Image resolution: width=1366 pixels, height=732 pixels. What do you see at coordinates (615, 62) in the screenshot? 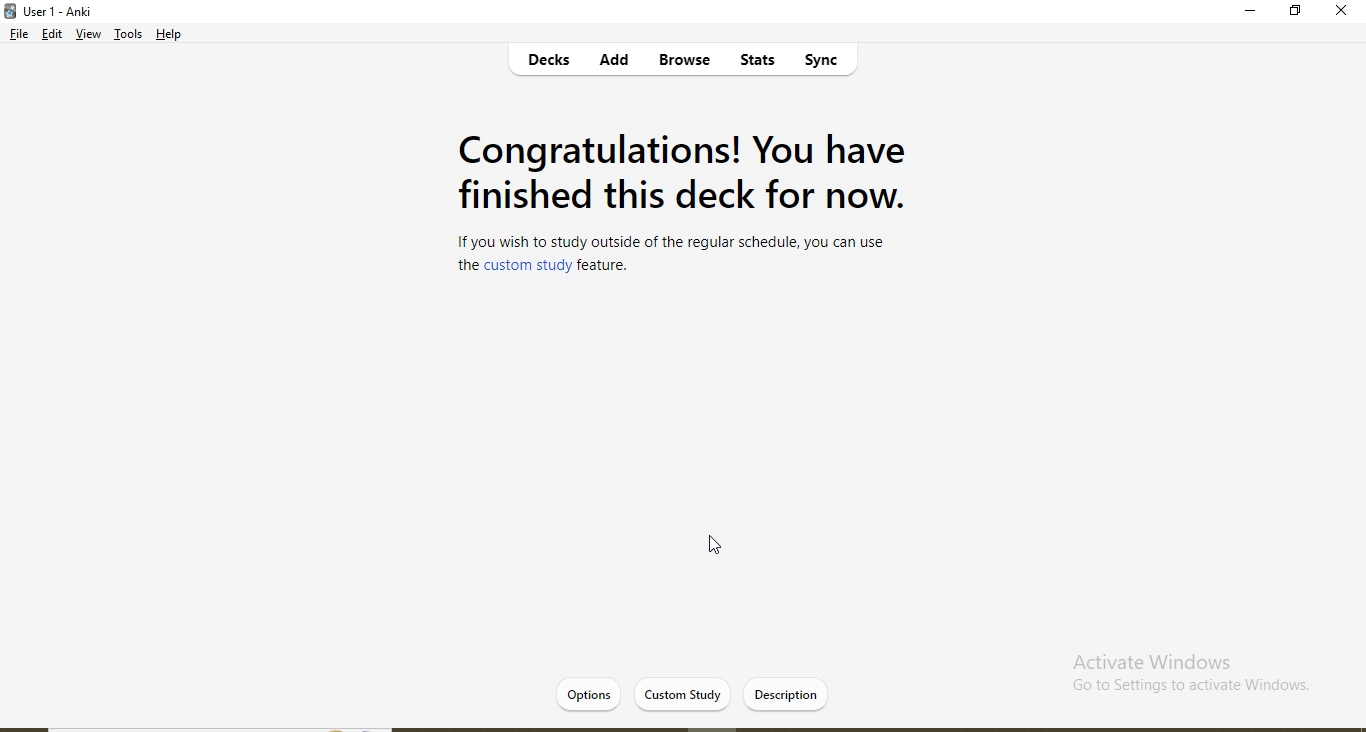
I see `add` at bounding box center [615, 62].